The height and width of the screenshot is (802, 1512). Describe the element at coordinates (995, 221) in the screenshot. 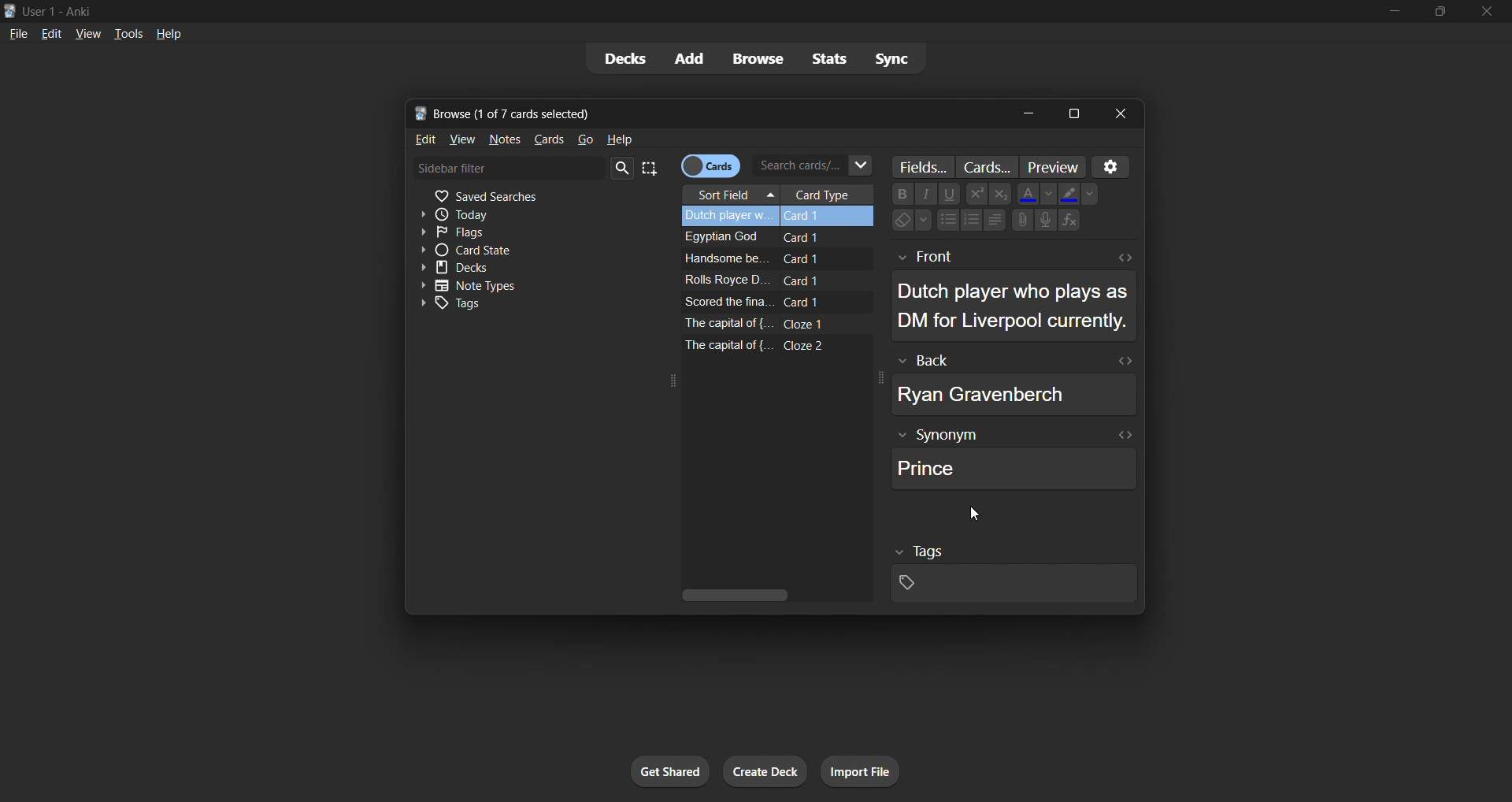

I see `Alignments` at that location.